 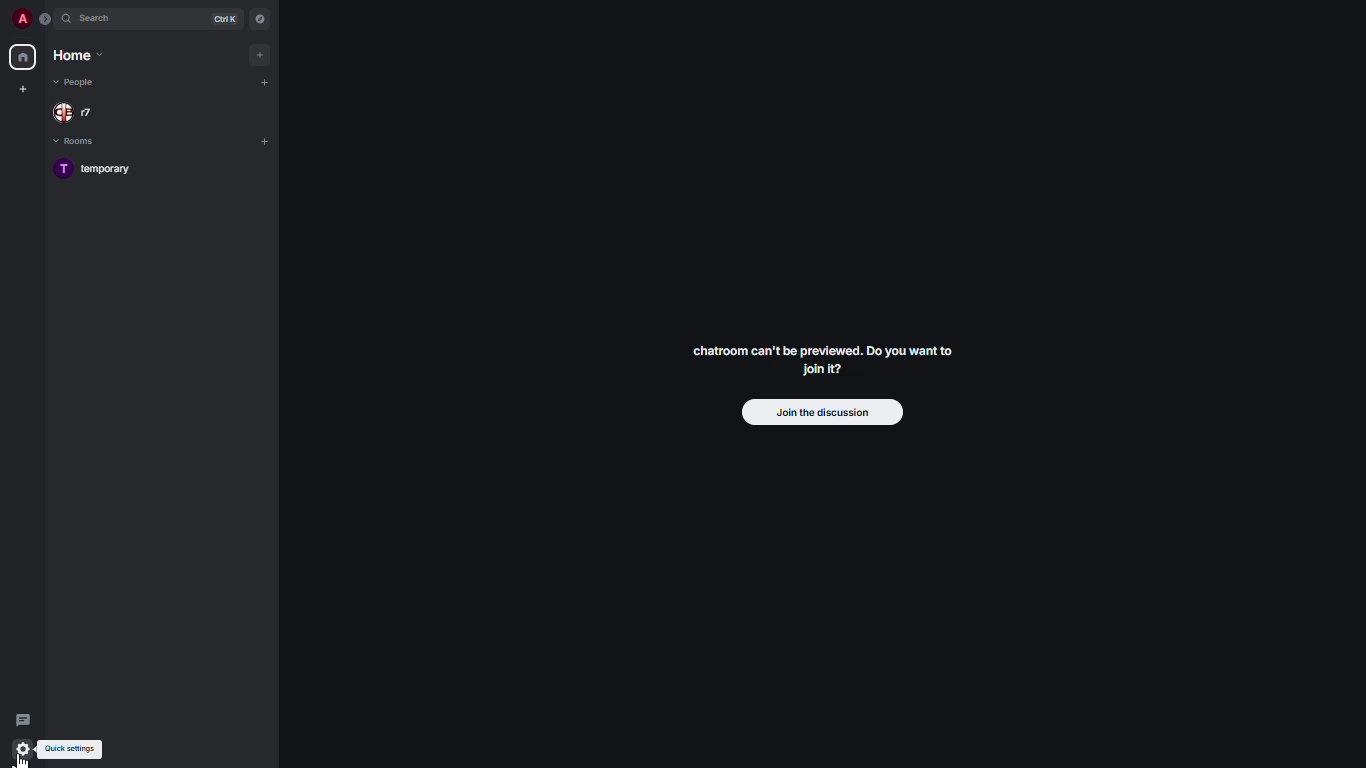 I want to click on add, so click(x=261, y=53).